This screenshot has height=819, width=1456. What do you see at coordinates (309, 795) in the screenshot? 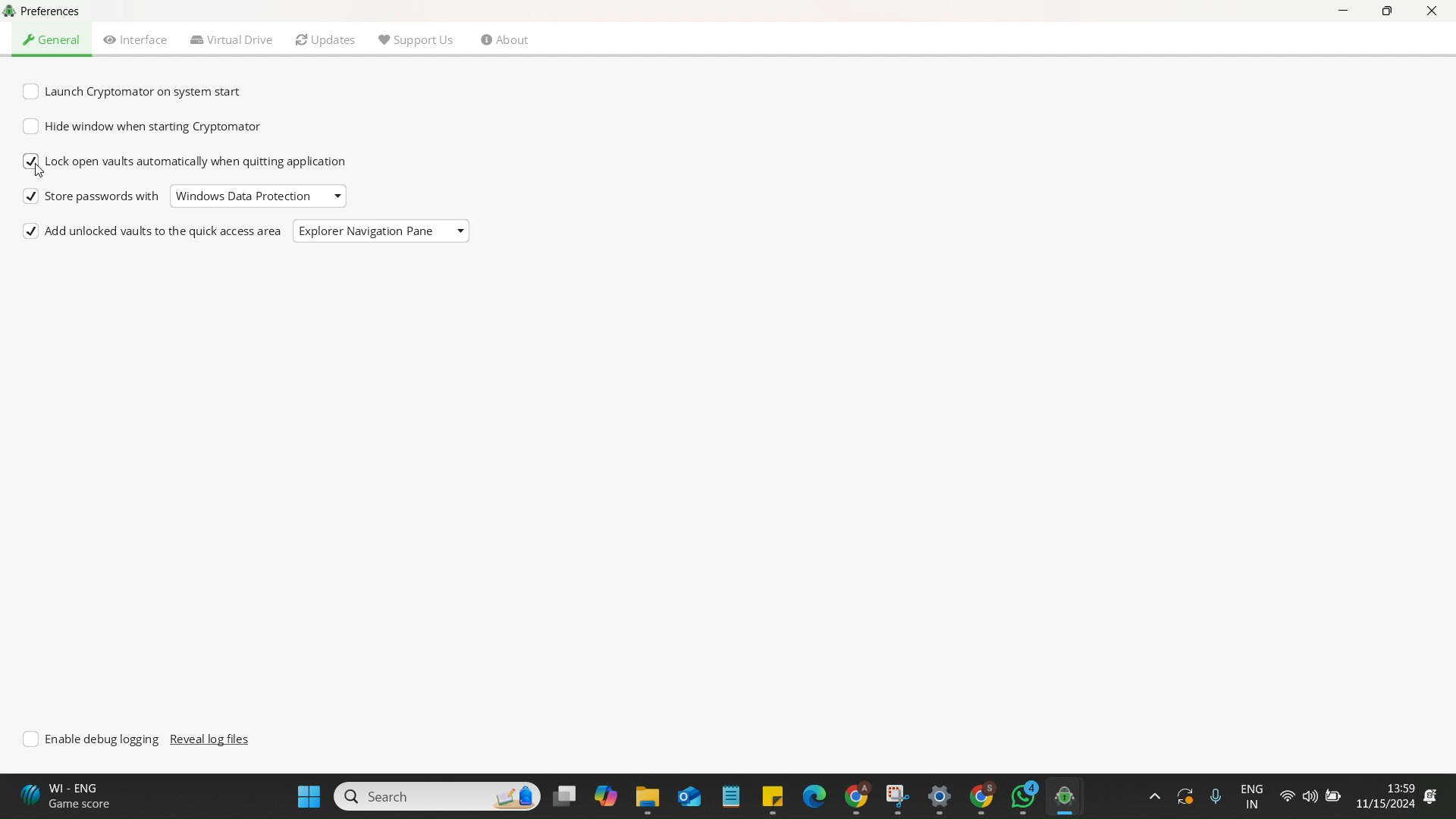
I see `Quick Start Windows` at bounding box center [309, 795].